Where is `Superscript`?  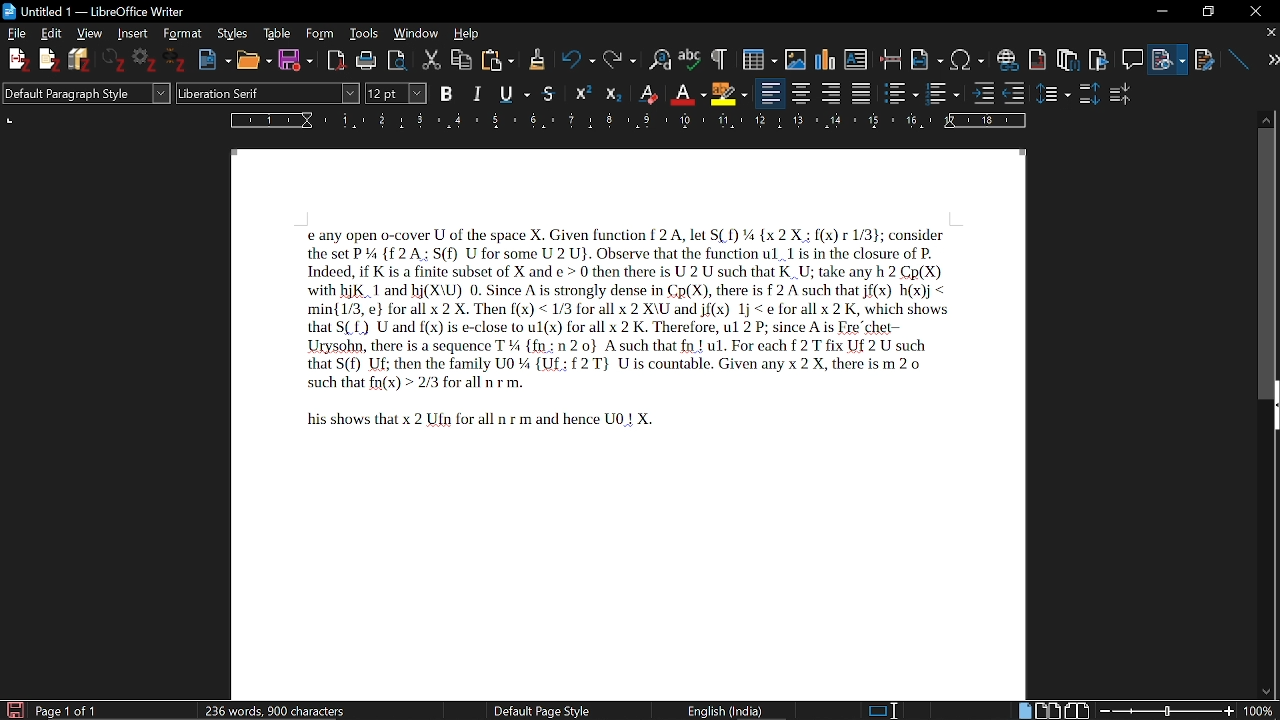 Superscript is located at coordinates (647, 93).